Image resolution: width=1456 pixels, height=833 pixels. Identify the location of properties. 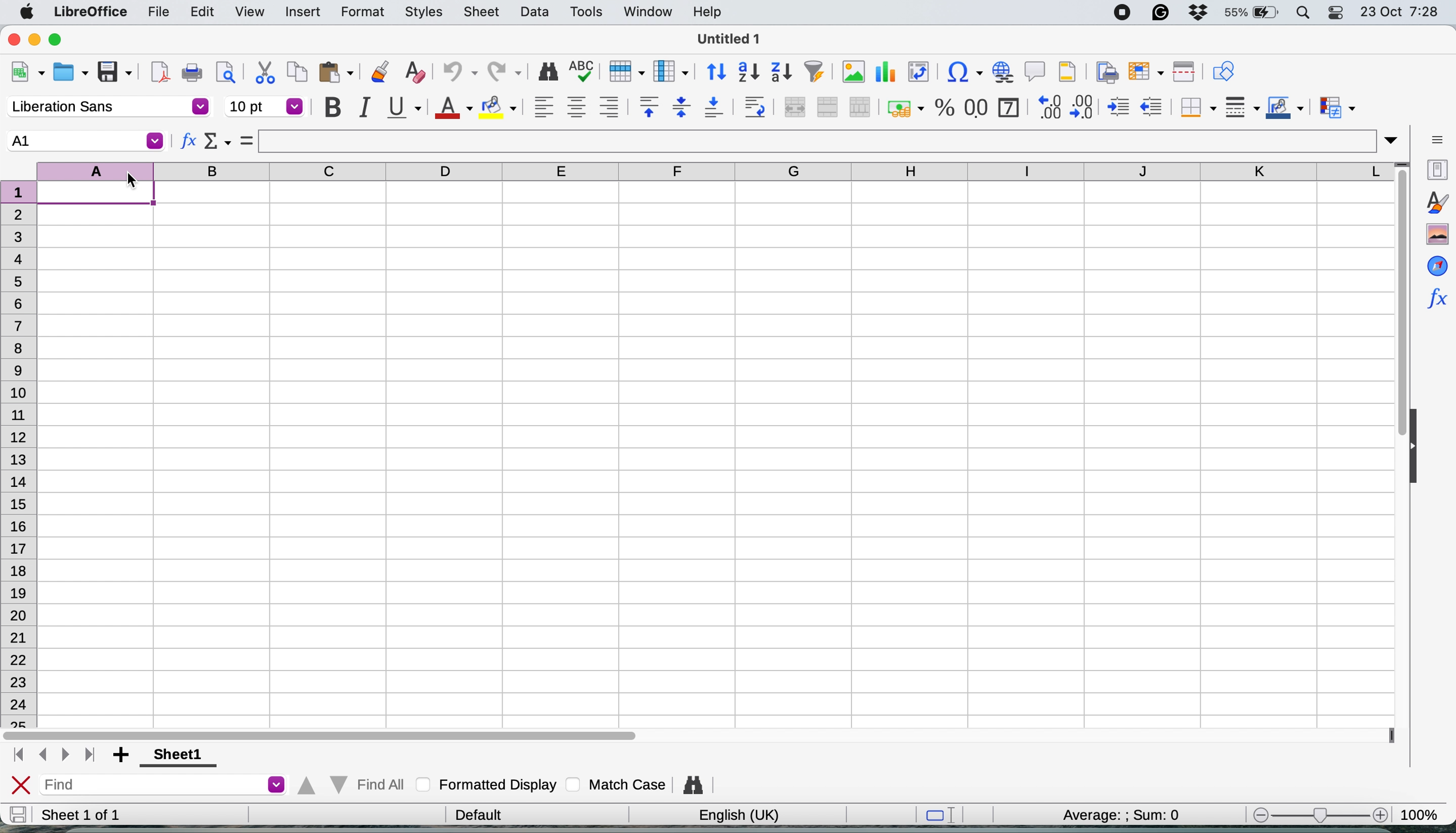
(1436, 169).